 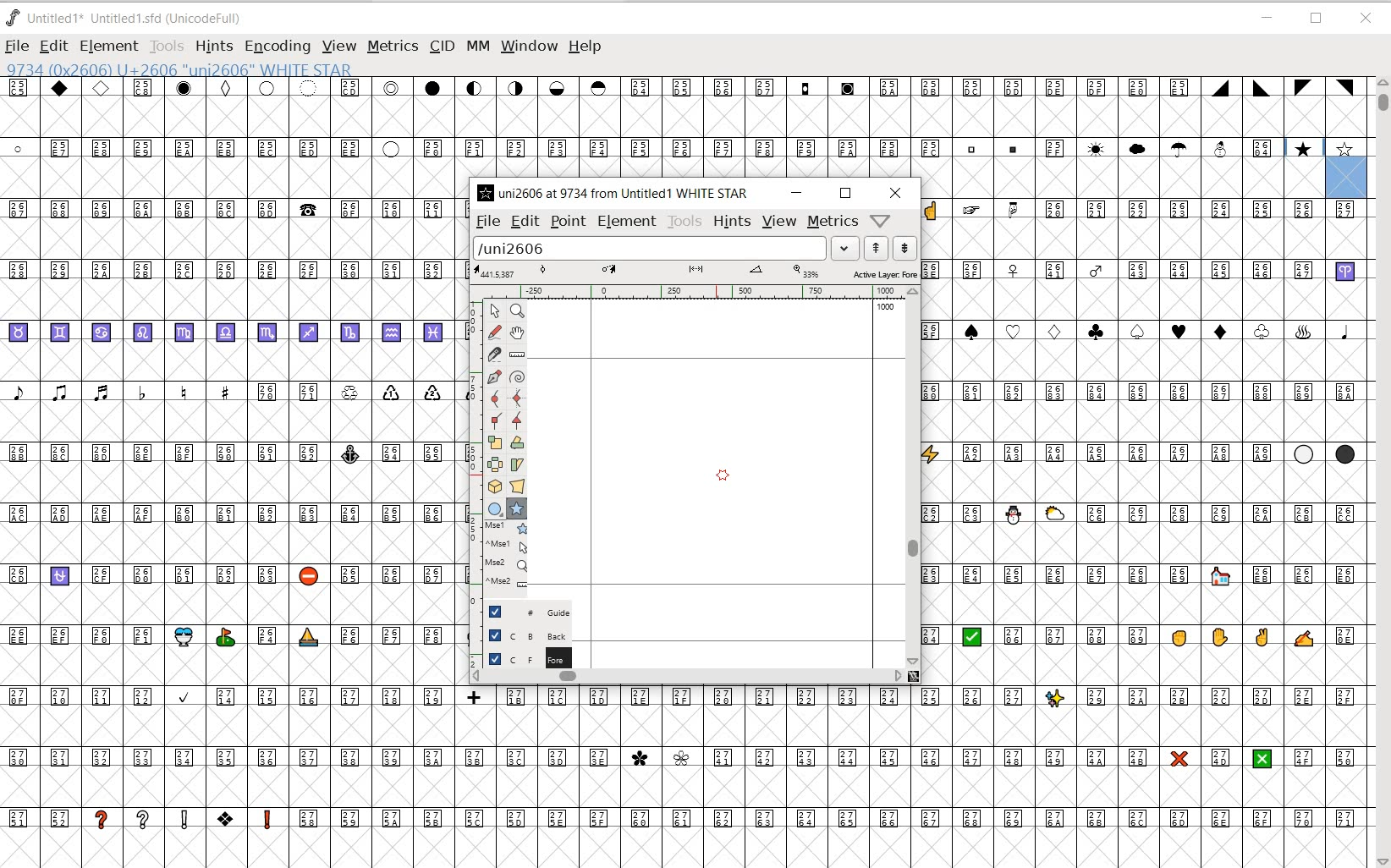 I want to click on GLYPHY CHARACTERS & NUMBERS, so click(x=1144, y=684).